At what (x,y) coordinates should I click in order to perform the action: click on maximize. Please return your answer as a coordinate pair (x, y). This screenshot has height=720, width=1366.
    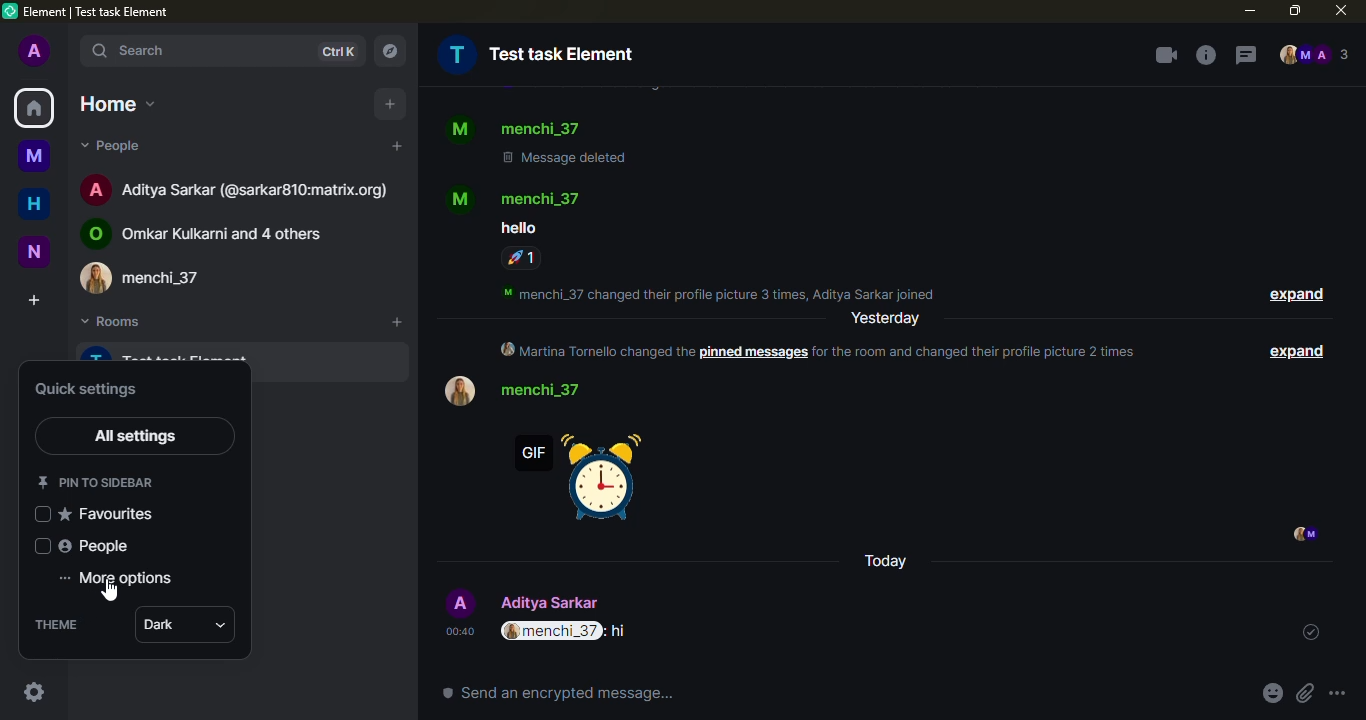
    Looking at the image, I should click on (1294, 9).